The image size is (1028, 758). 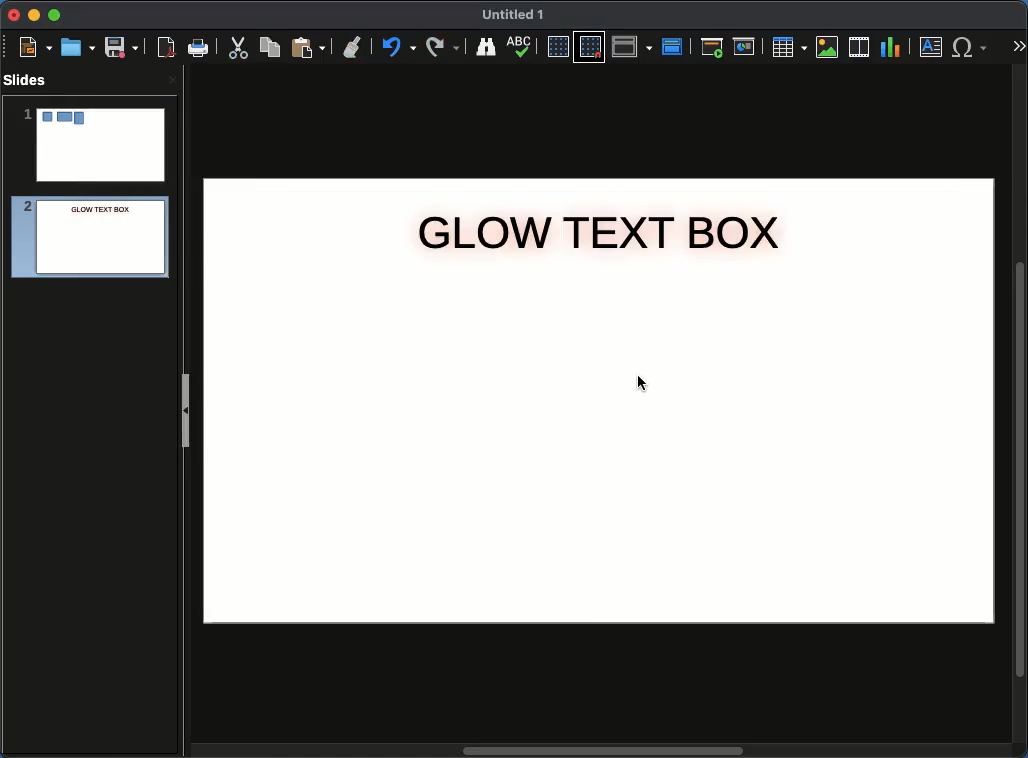 I want to click on Textbox, so click(x=932, y=46).